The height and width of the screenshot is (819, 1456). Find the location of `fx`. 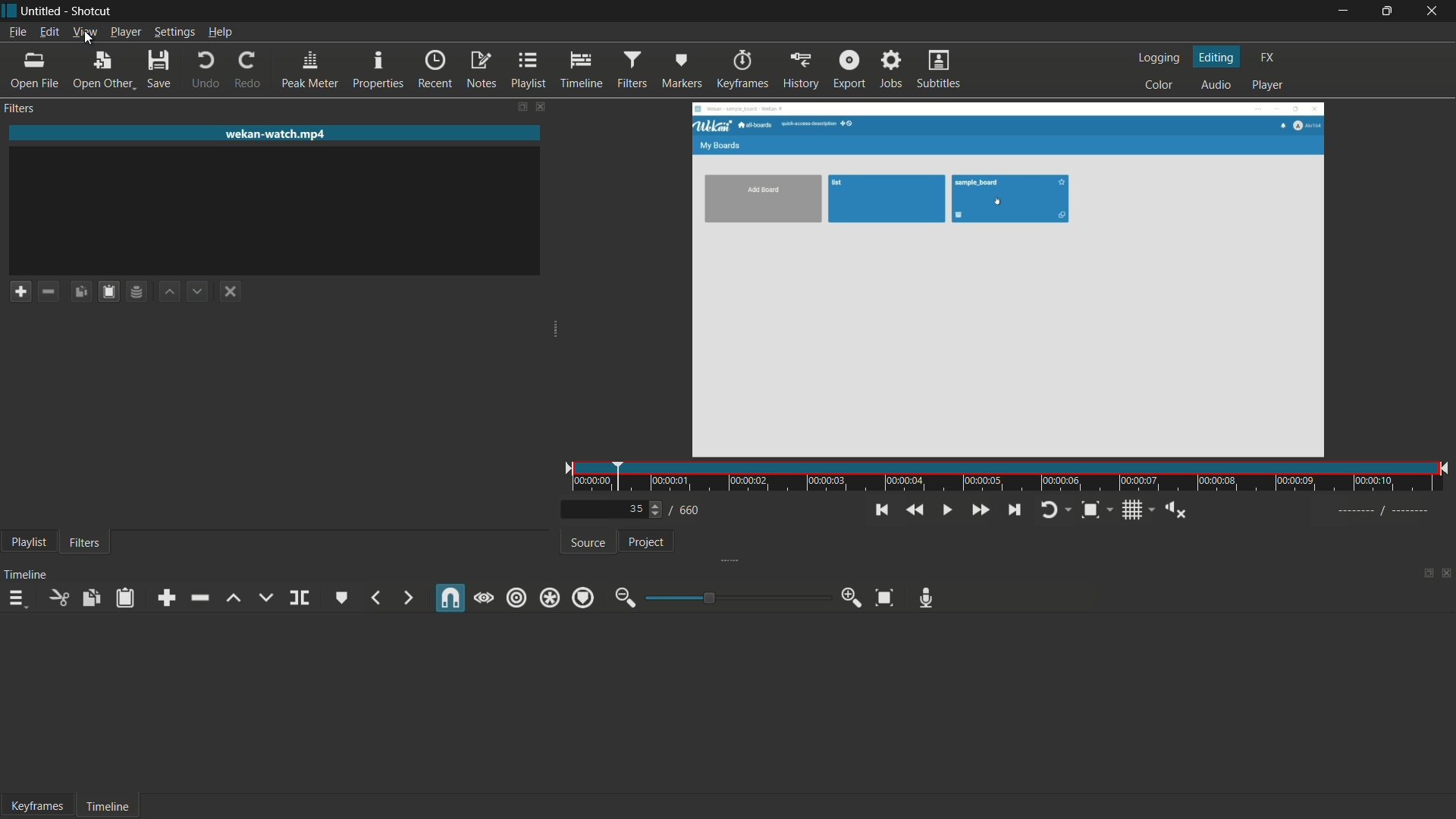

fx is located at coordinates (1266, 58).